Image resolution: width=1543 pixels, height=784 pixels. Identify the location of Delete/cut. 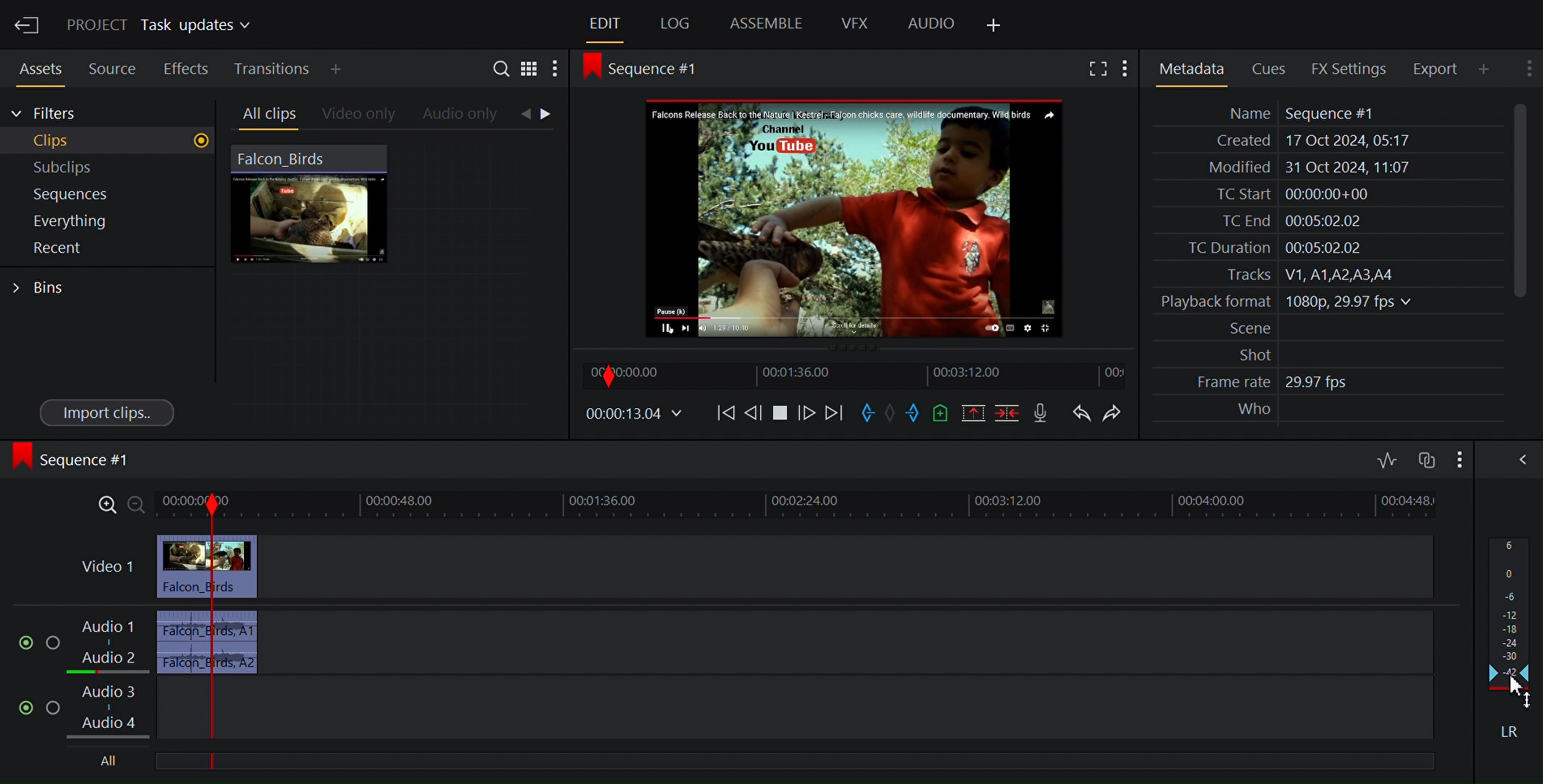
(1007, 413).